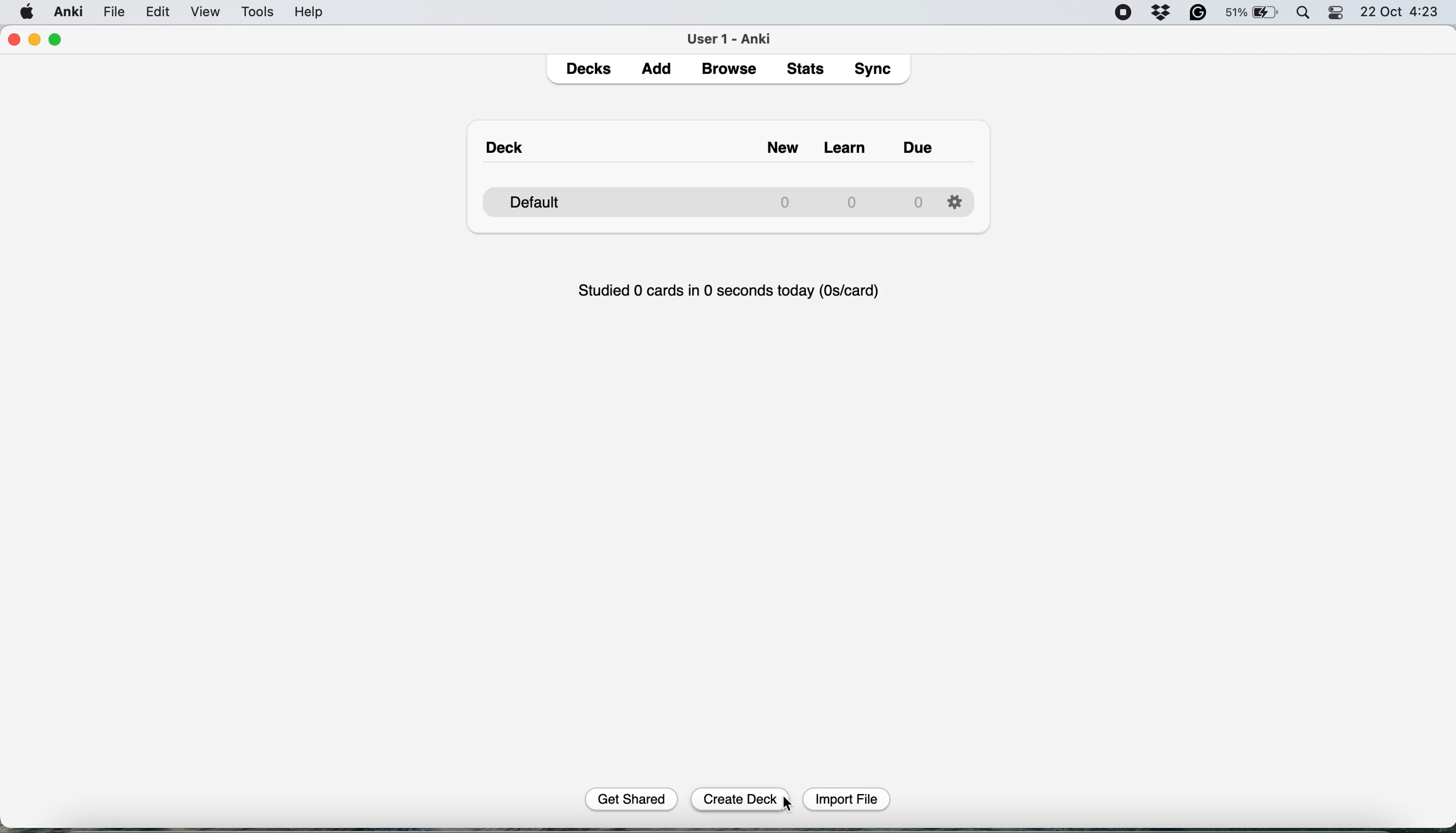  I want to click on minimise, so click(39, 40).